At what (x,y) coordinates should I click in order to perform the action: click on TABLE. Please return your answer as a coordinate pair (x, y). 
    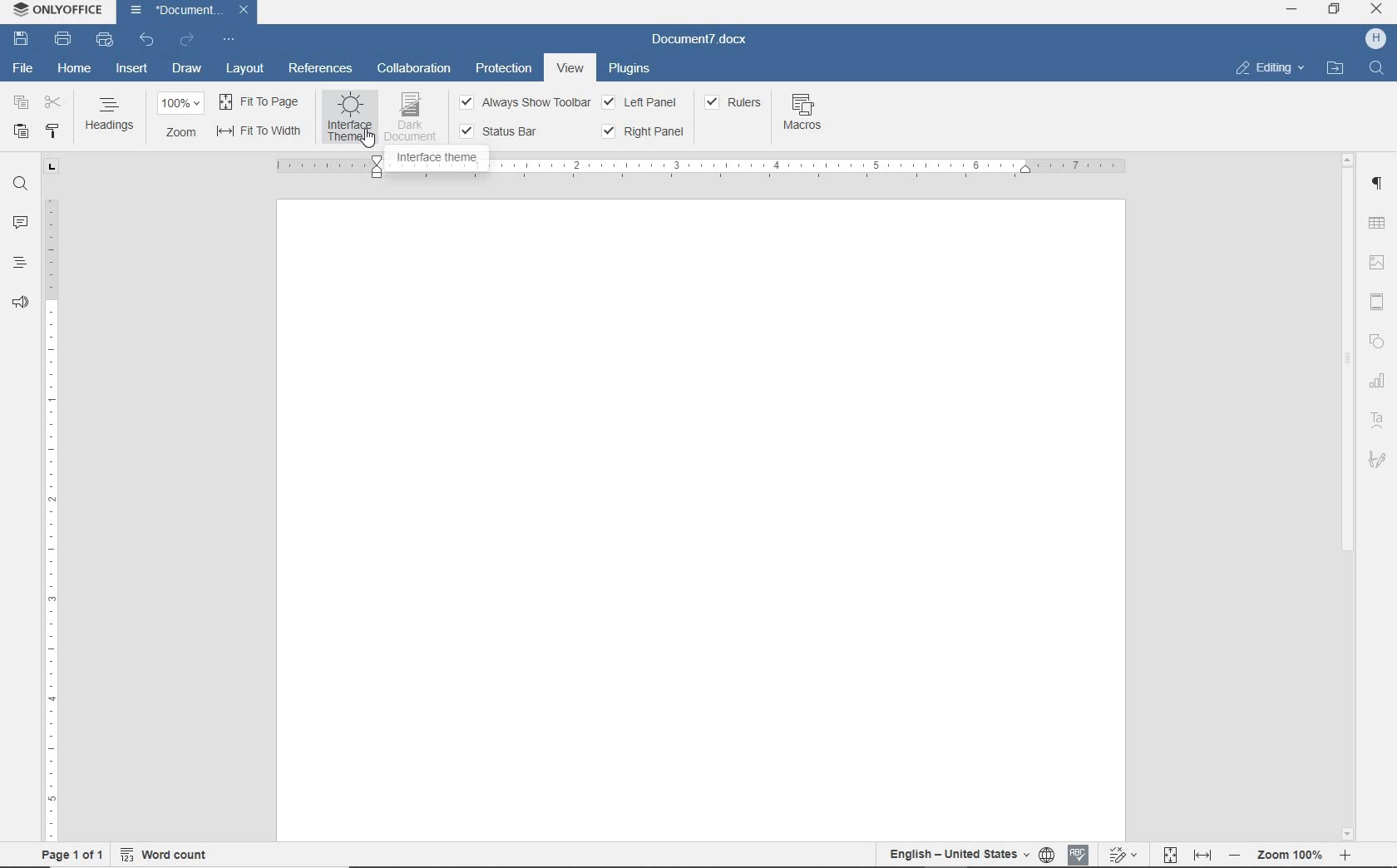
    Looking at the image, I should click on (1378, 223).